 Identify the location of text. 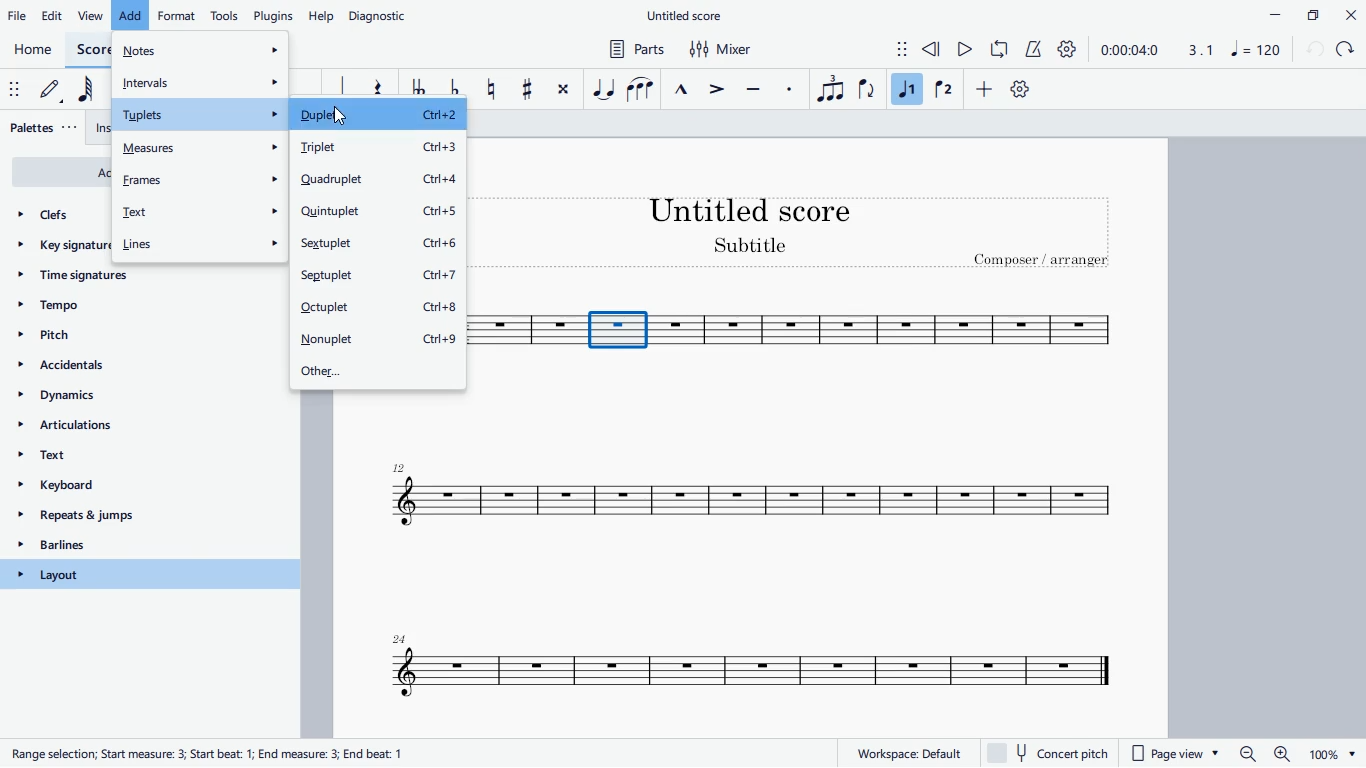
(202, 213).